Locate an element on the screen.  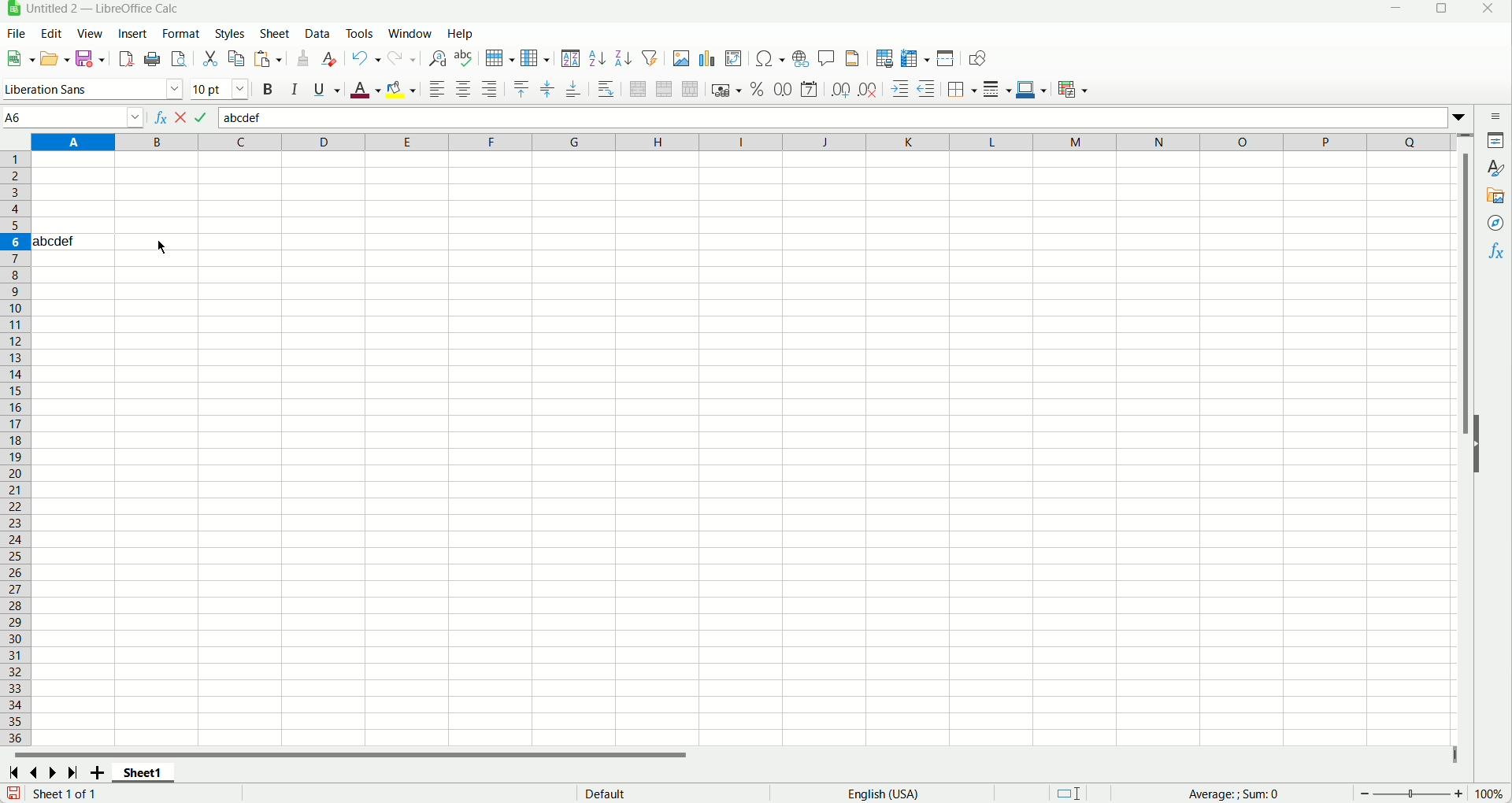
clone formatting is located at coordinates (303, 58).